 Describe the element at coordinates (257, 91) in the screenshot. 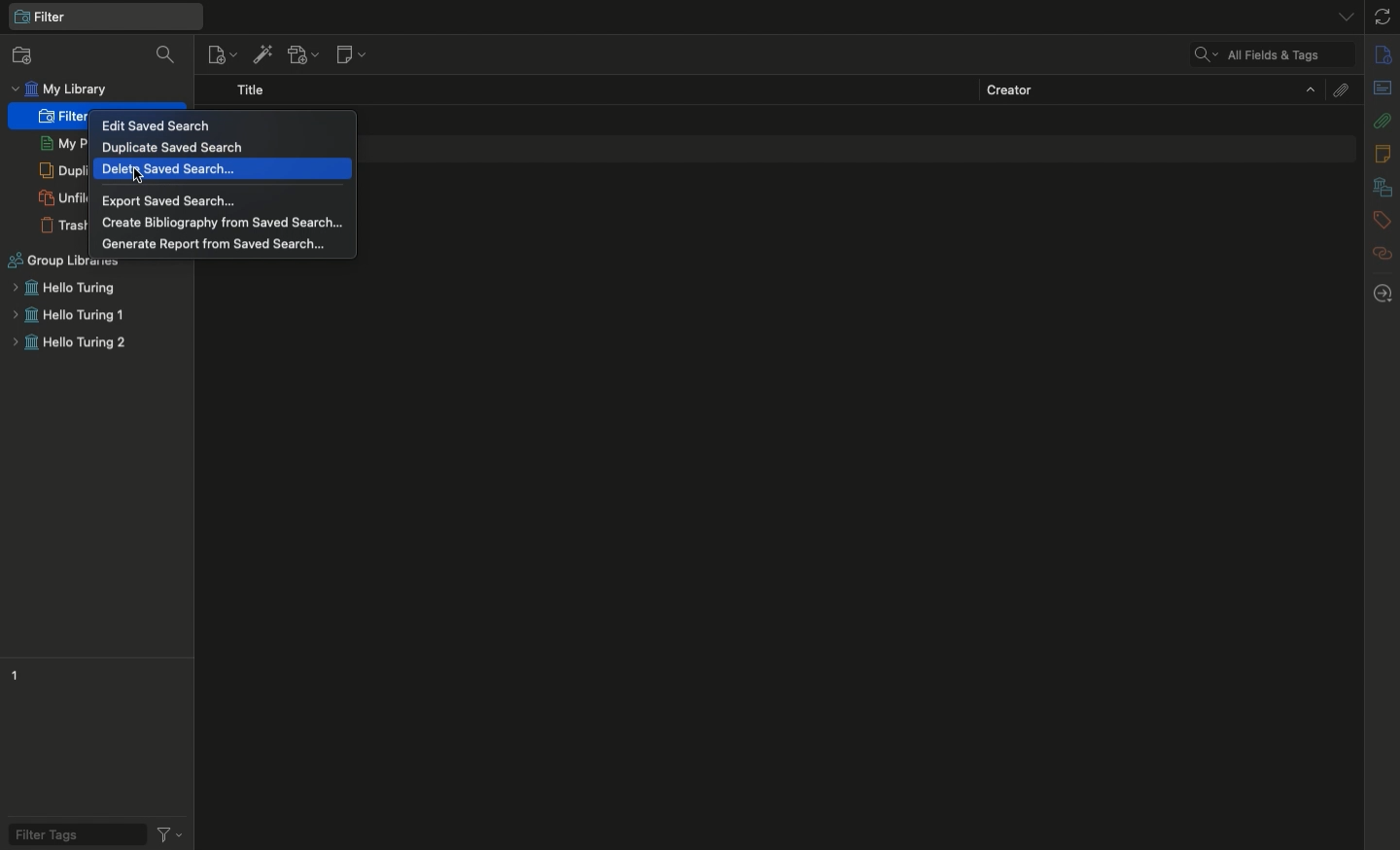

I see `Title` at that location.